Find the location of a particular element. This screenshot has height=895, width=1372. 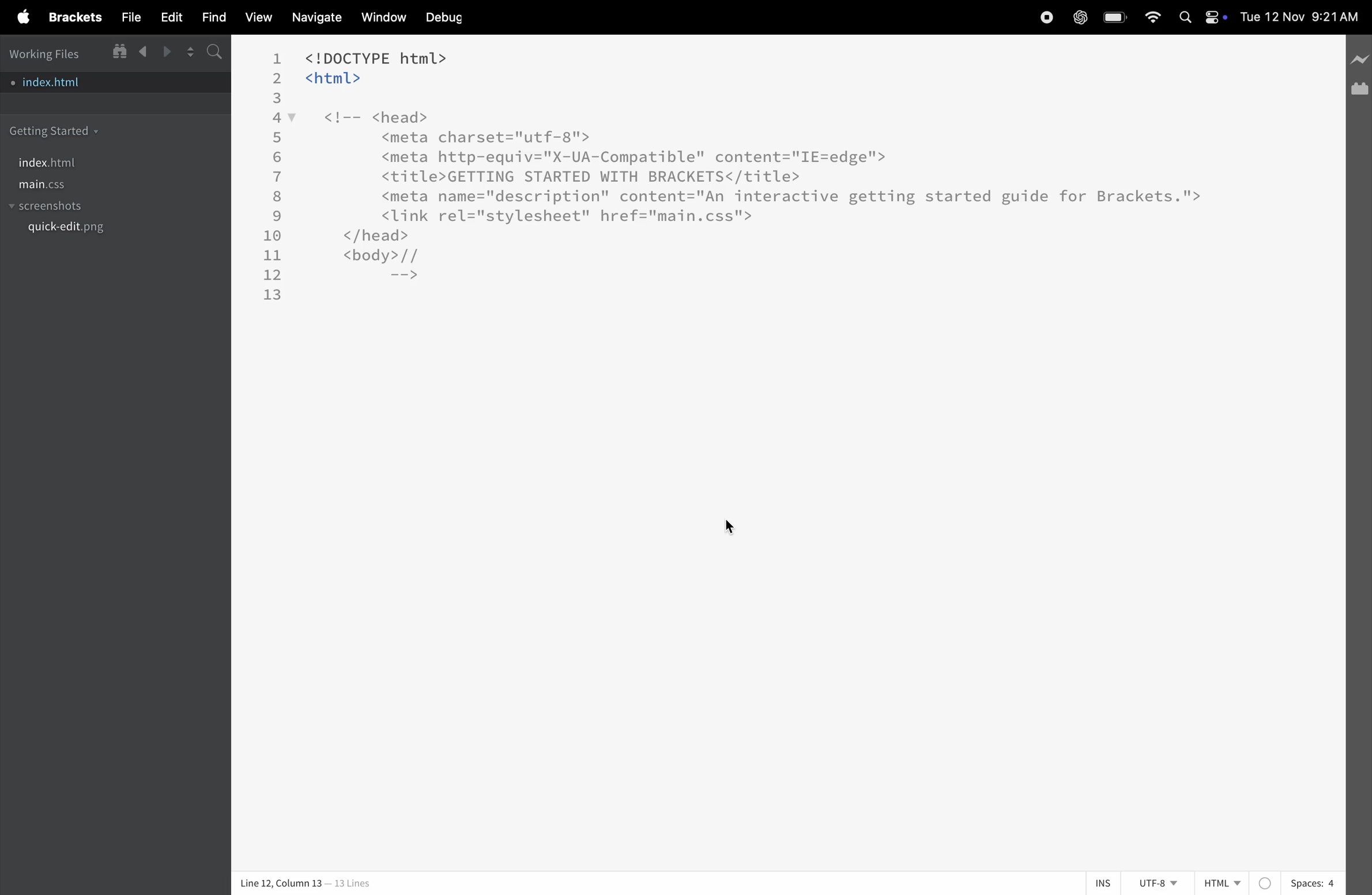

index.html is located at coordinates (91, 78).